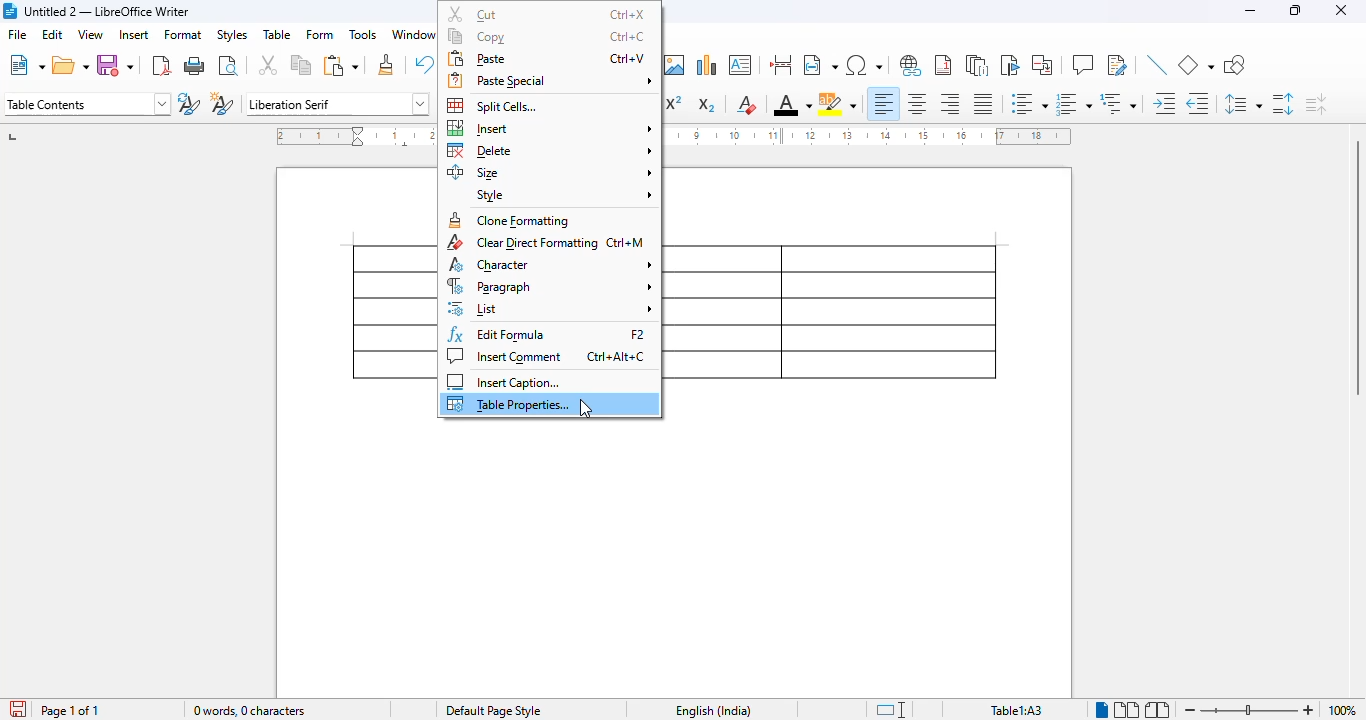  I want to click on insert hyperlink, so click(911, 64).